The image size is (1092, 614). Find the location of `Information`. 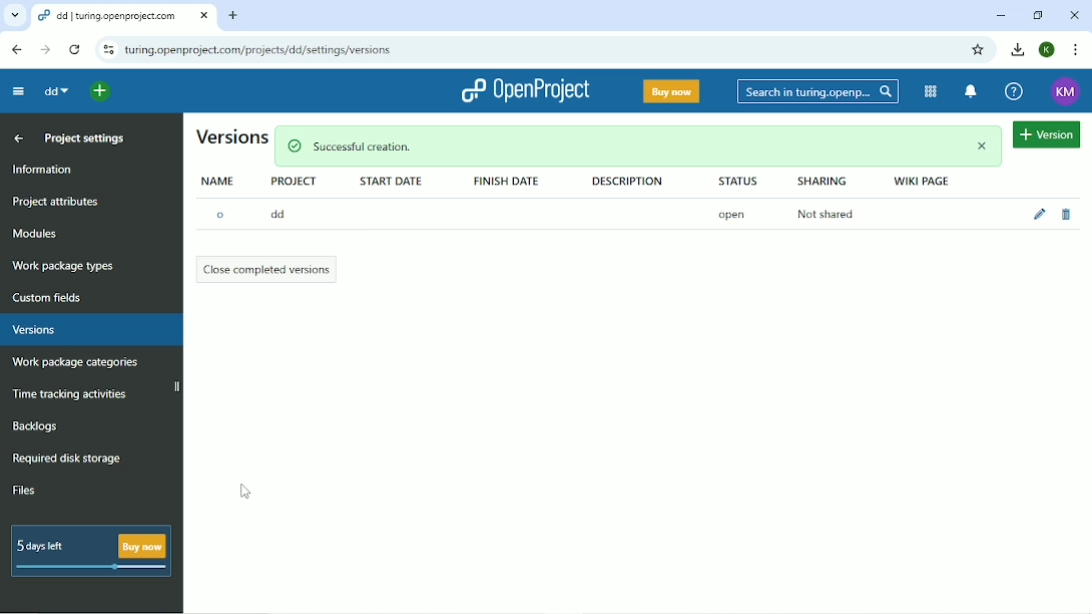

Information is located at coordinates (47, 169).